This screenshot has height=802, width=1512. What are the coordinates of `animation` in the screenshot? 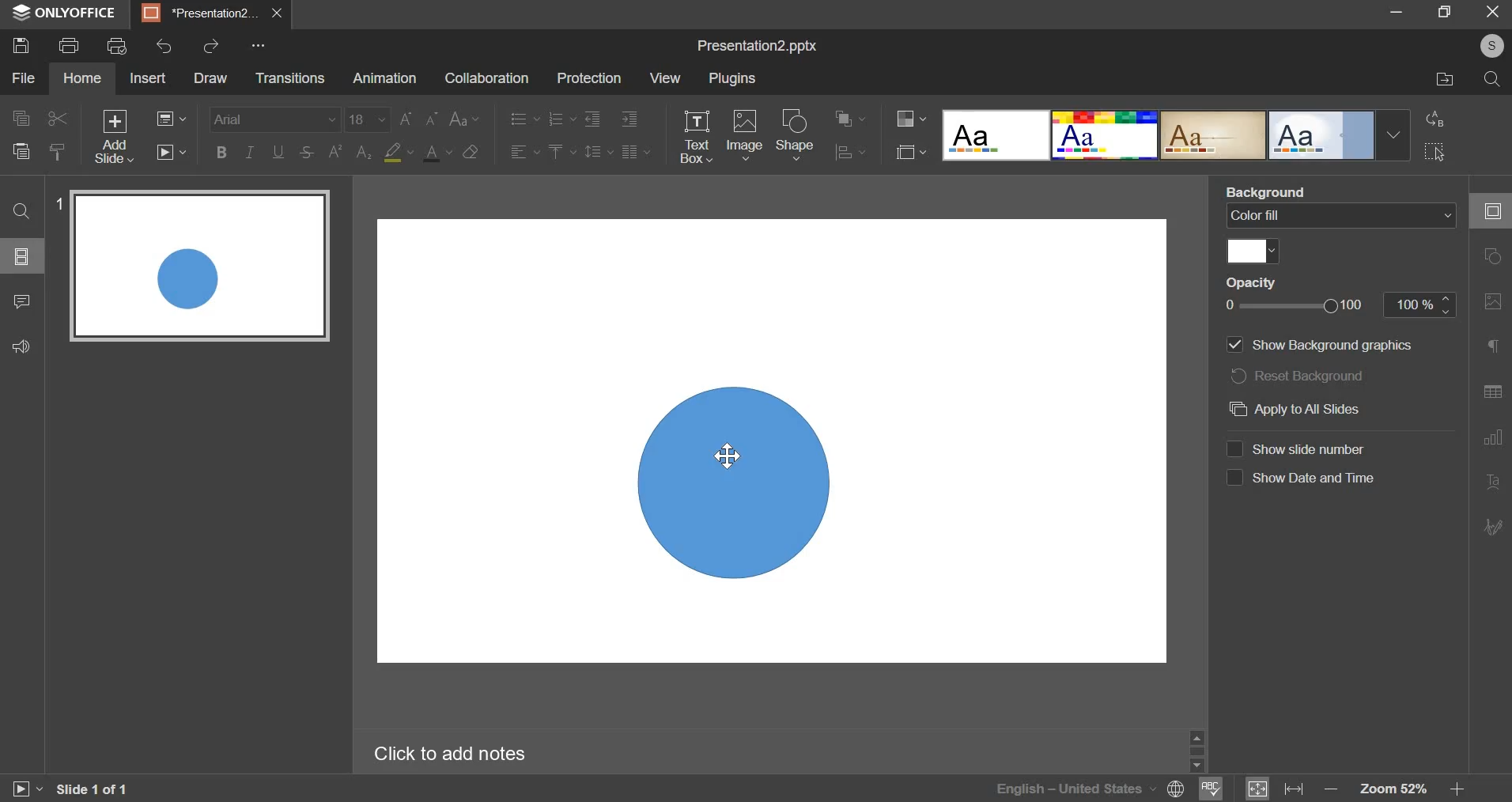 It's located at (385, 78).